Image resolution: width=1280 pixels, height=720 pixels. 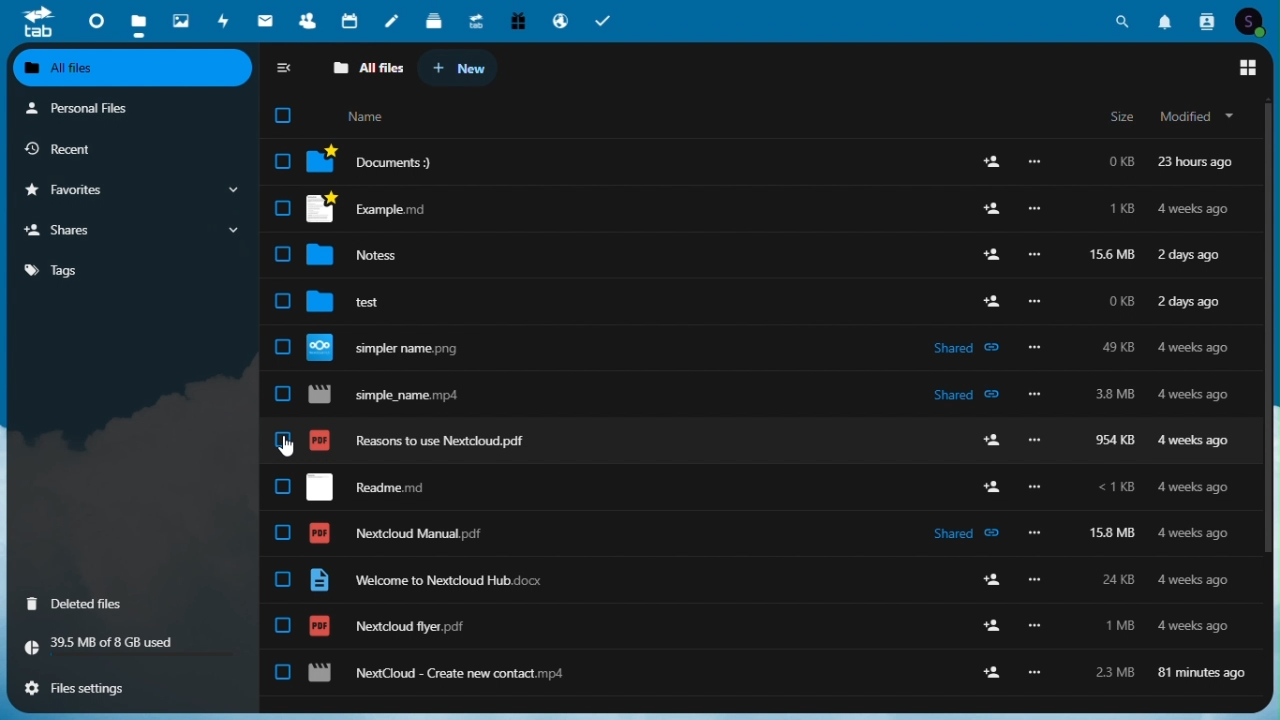 I want to click on nextcloud manual.pdf, so click(x=399, y=534).